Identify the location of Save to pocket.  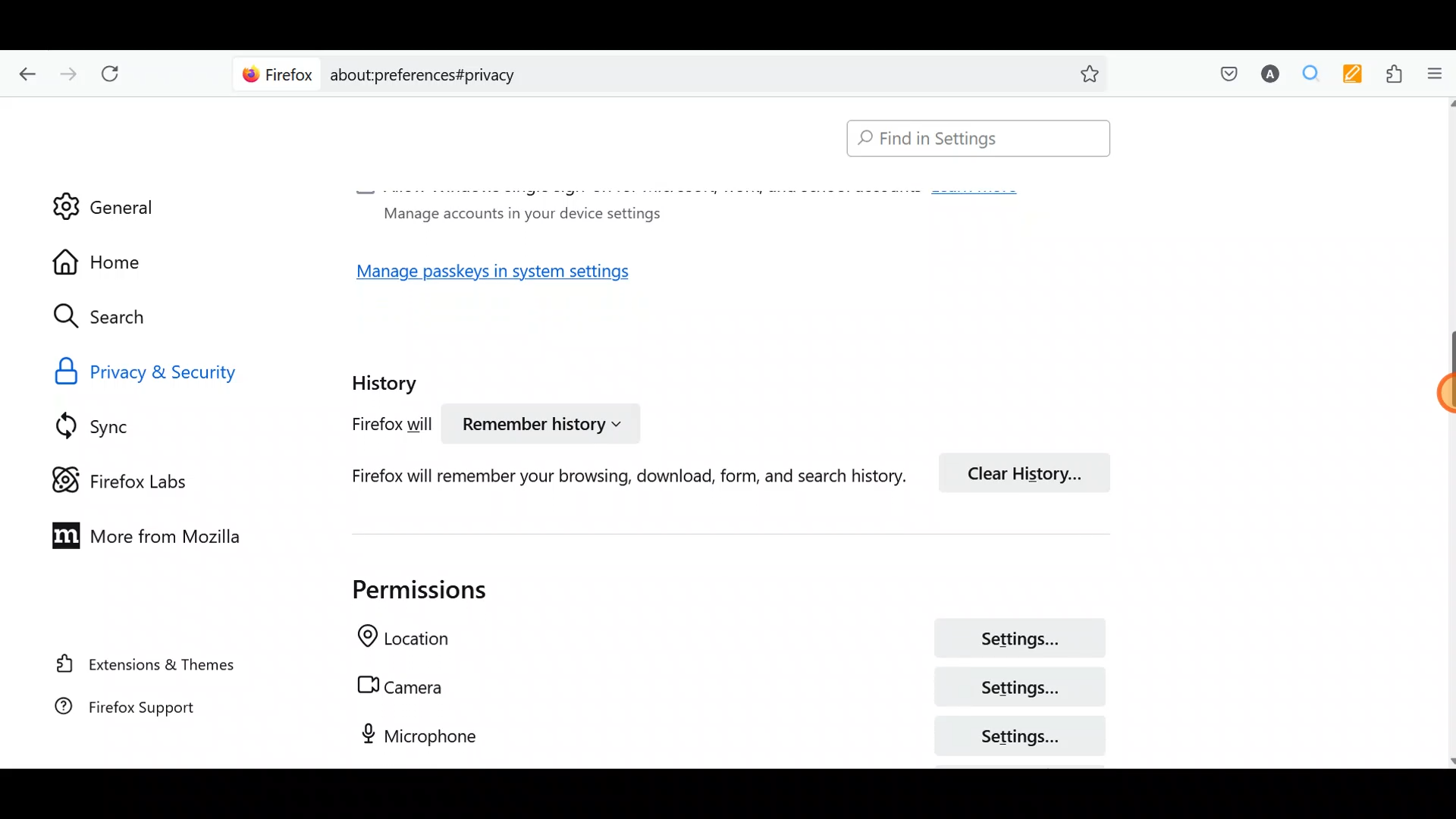
(1222, 73).